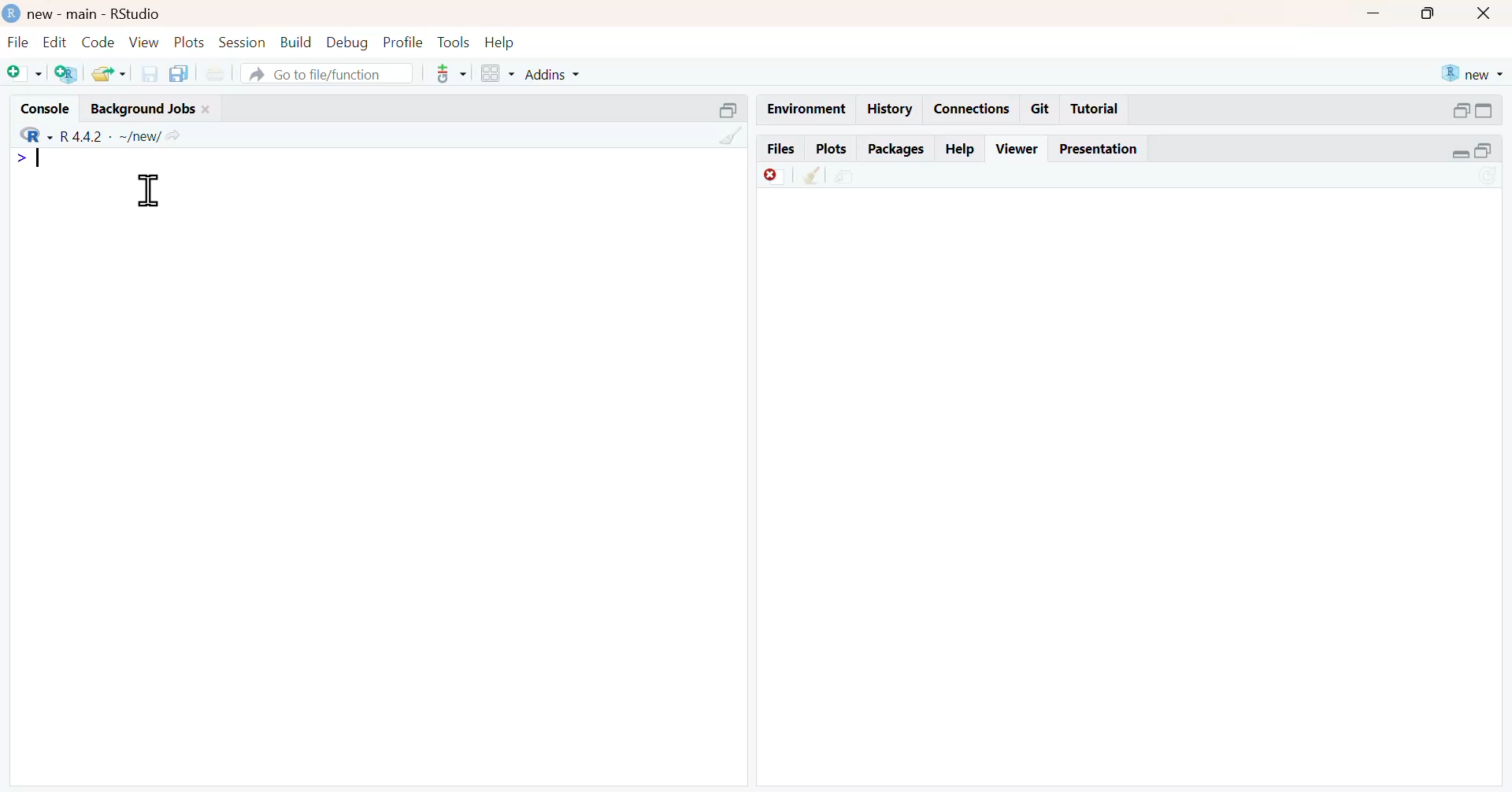  What do you see at coordinates (558, 73) in the screenshot?
I see `addins` at bounding box center [558, 73].